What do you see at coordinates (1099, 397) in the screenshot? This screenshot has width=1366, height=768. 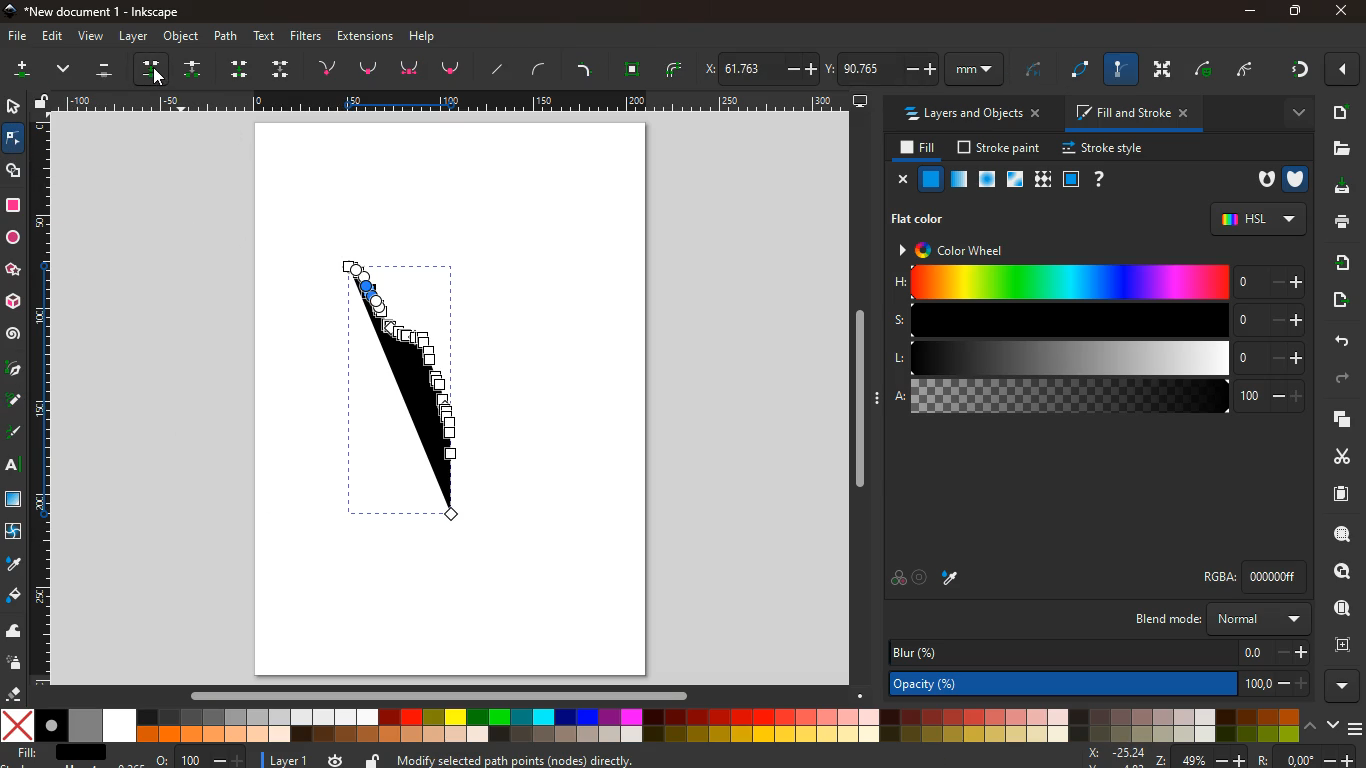 I see `a` at bounding box center [1099, 397].